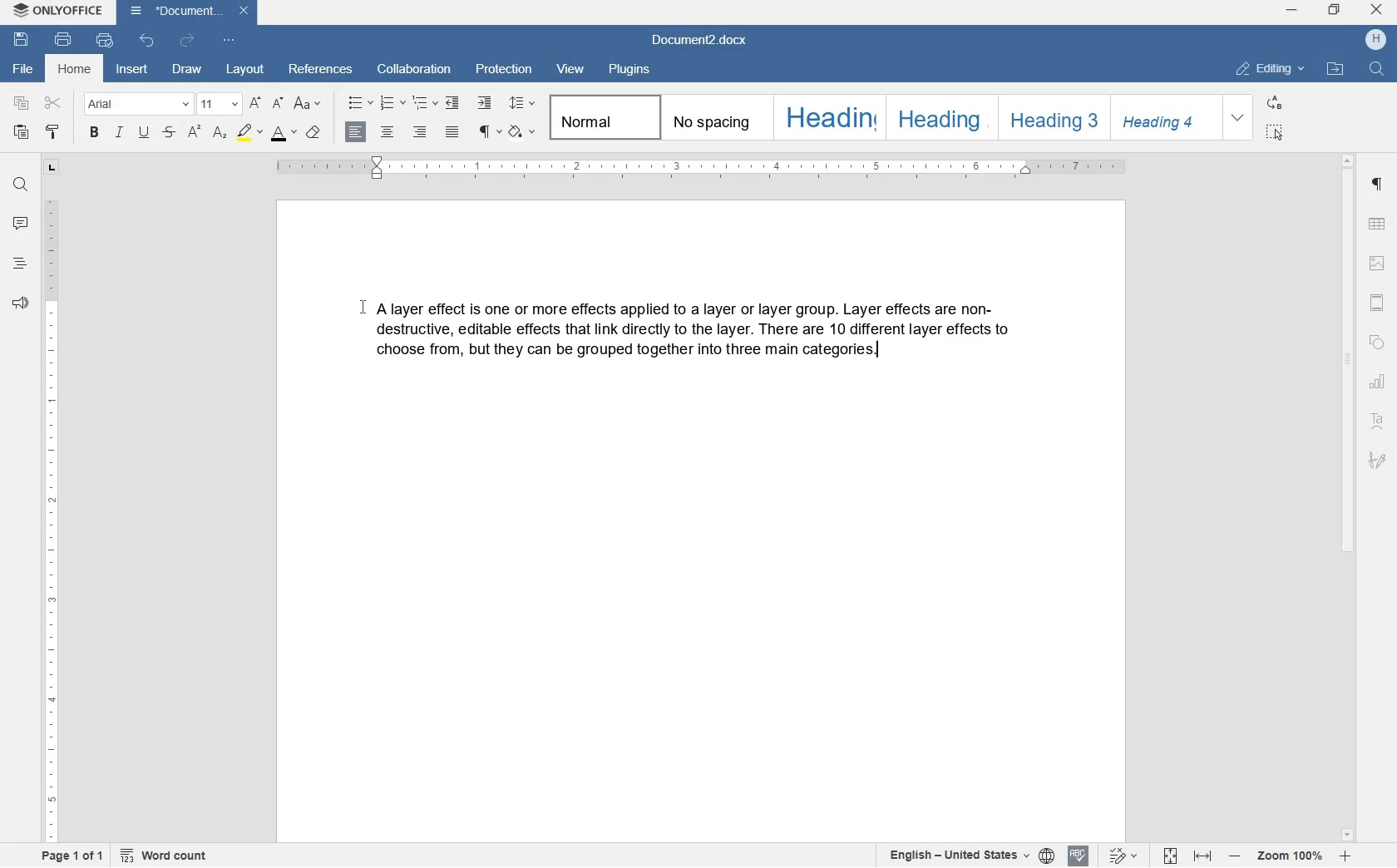  What do you see at coordinates (74, 856) in the screenshot?
I see `page 1 of 1` at bounding box center [74, 856].